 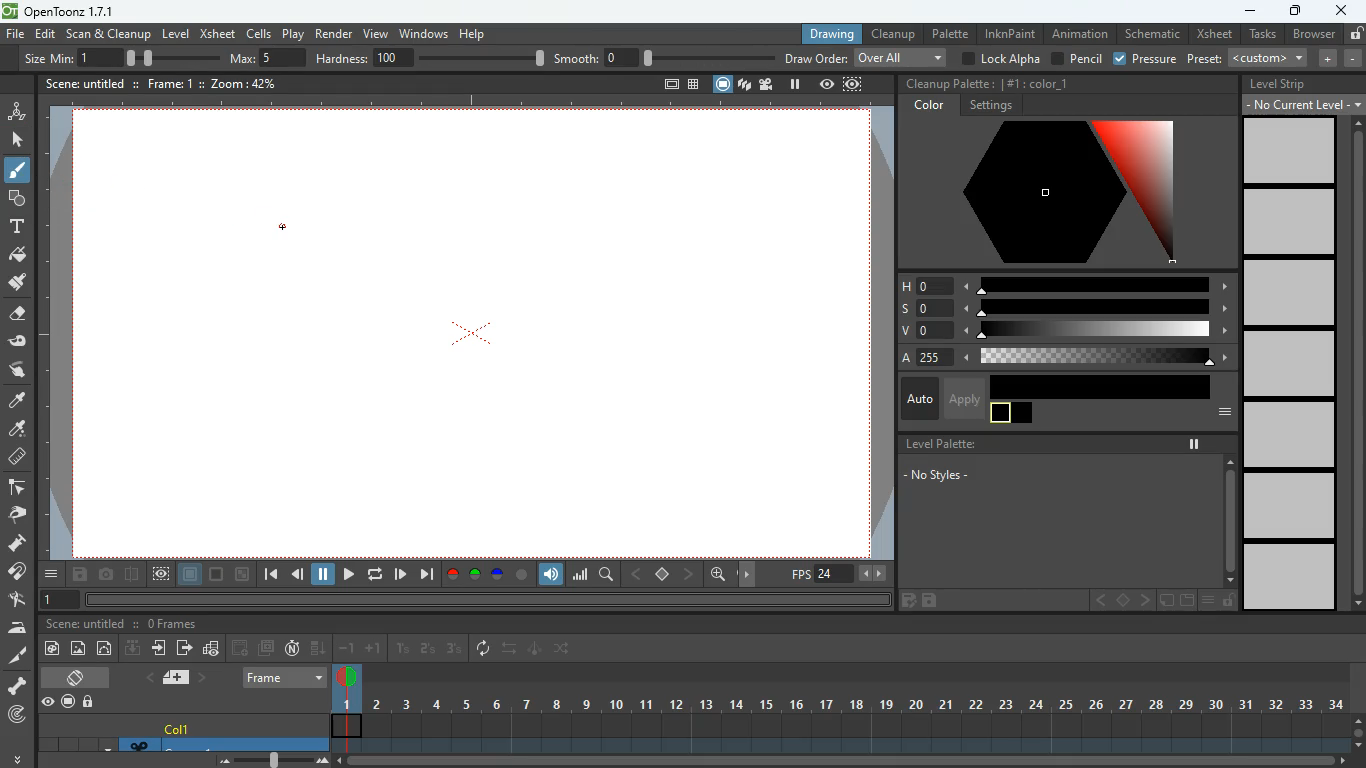 I want to click on color, so click(x=1038, y=82).